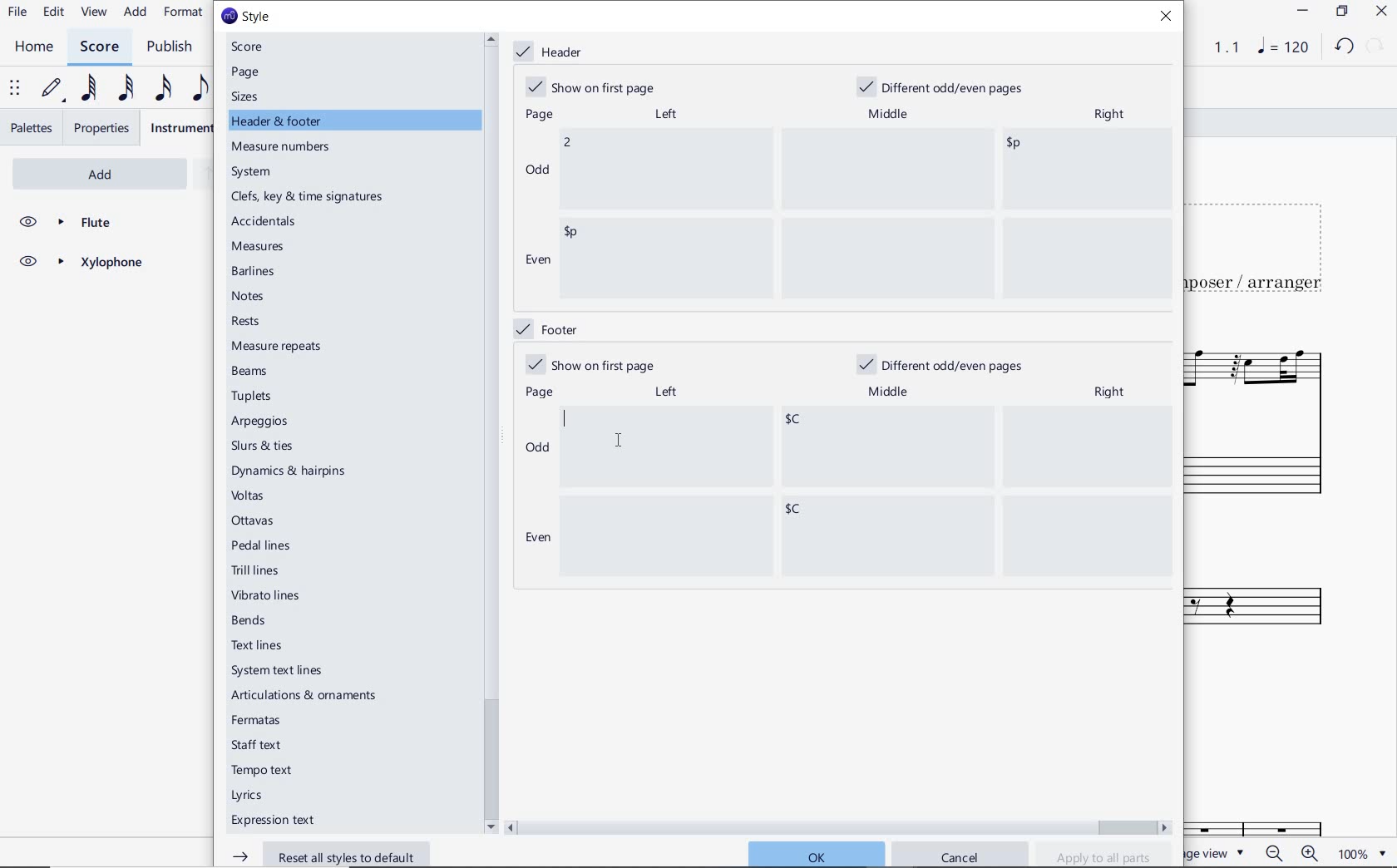 The image size is (1397, 868). I want to click on sizes, so click(249, 96).